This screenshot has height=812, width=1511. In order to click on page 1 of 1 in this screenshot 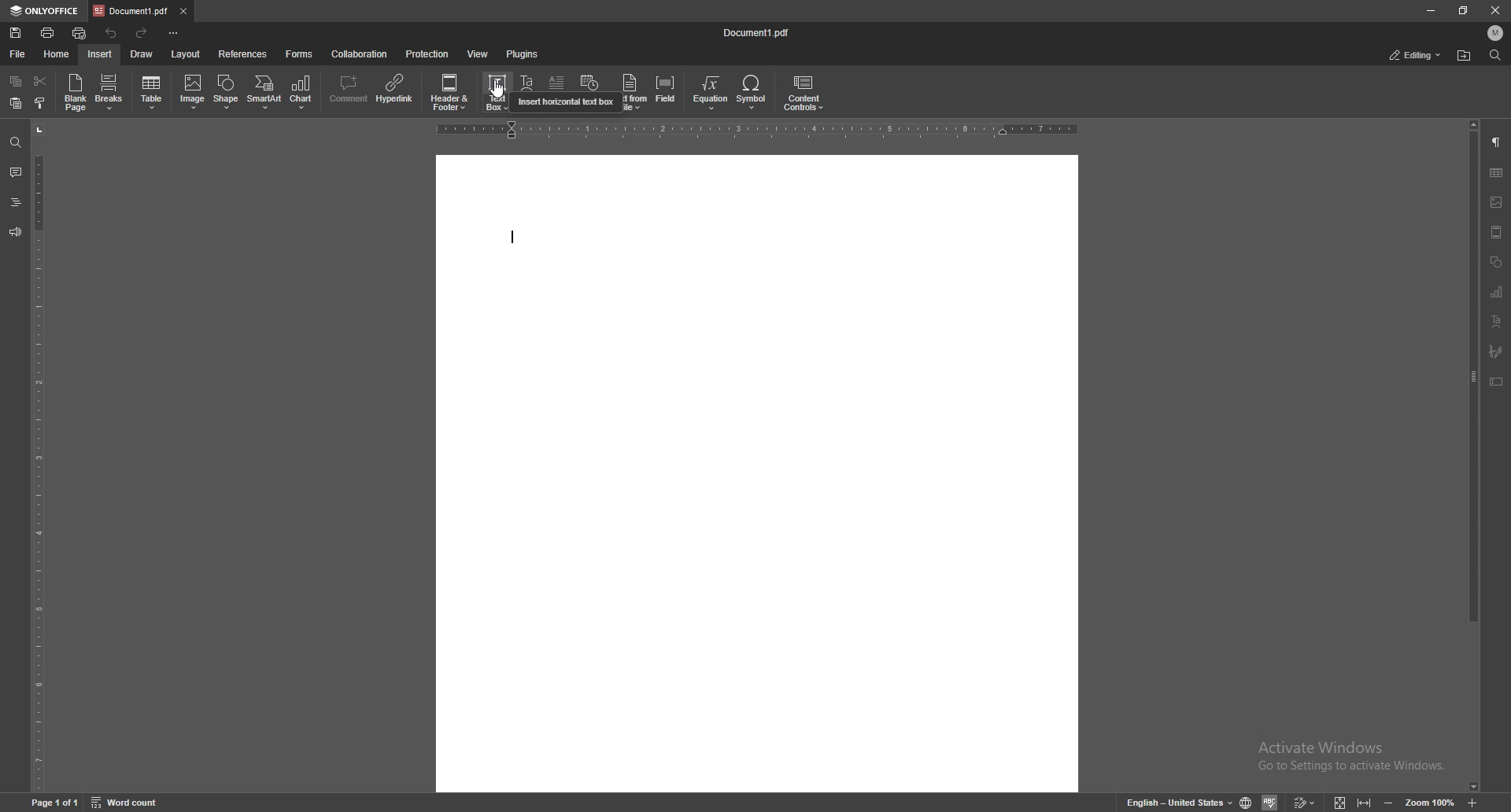, I will do `click(56, 803)`.